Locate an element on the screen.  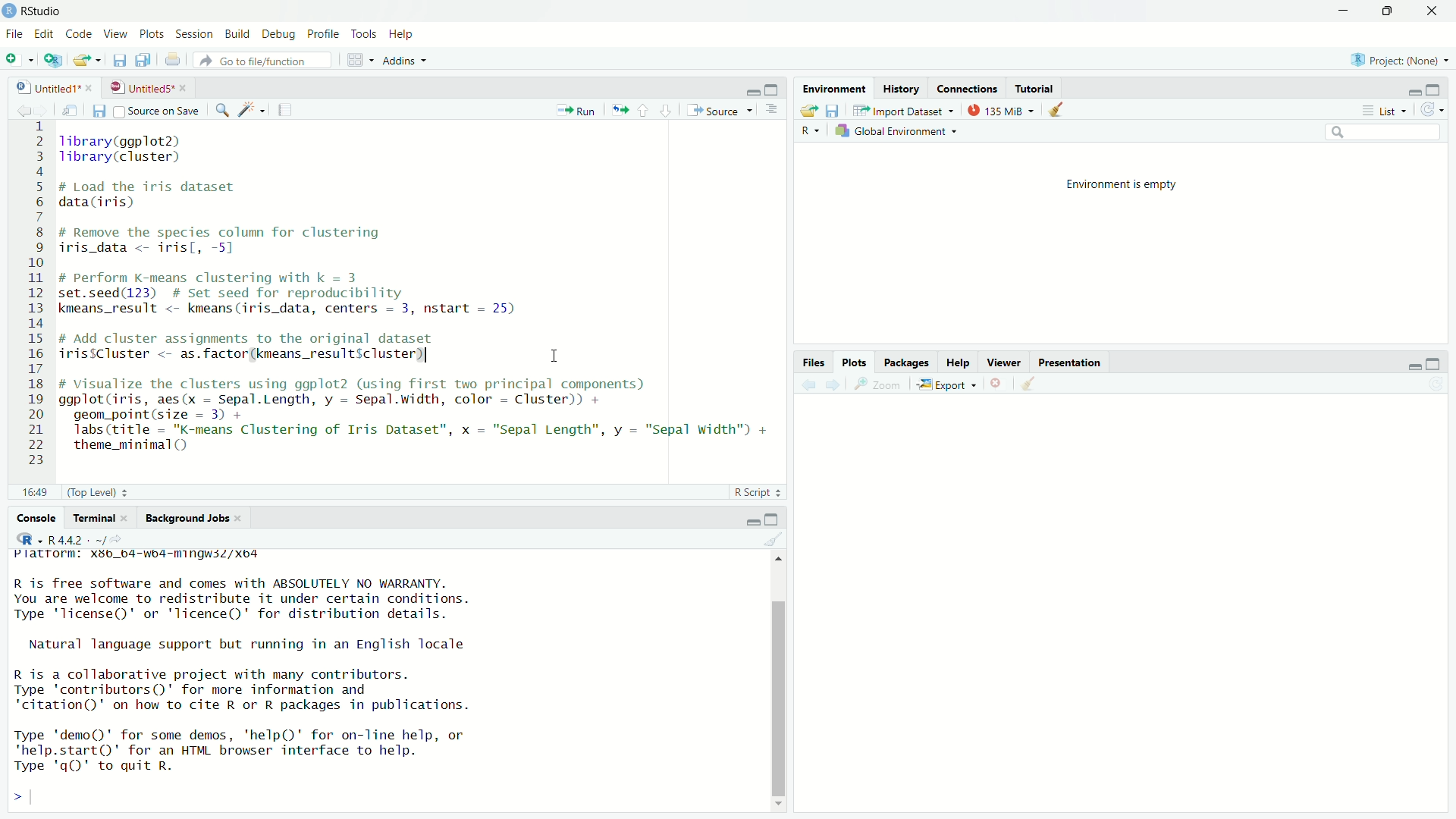
Environment is located at coordinates (835, 88).